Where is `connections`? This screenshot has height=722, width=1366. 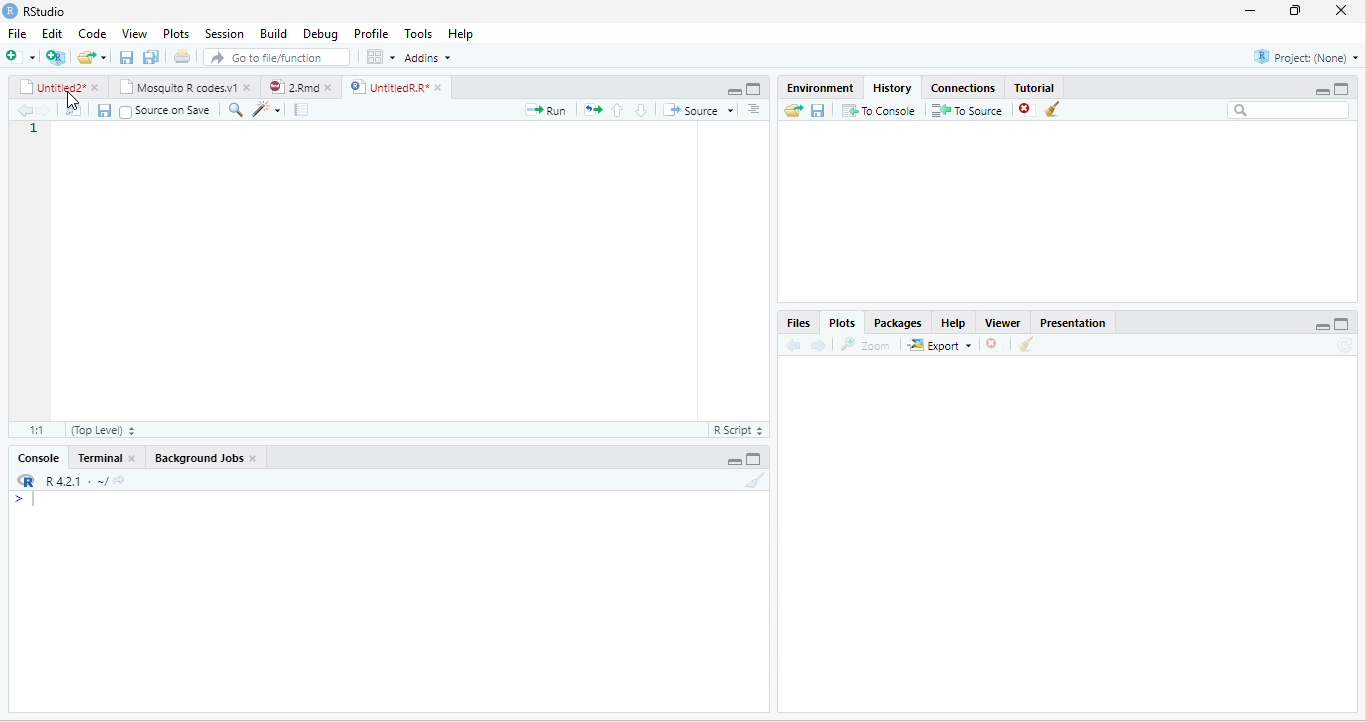 connections is located at coordinates (961, 86).